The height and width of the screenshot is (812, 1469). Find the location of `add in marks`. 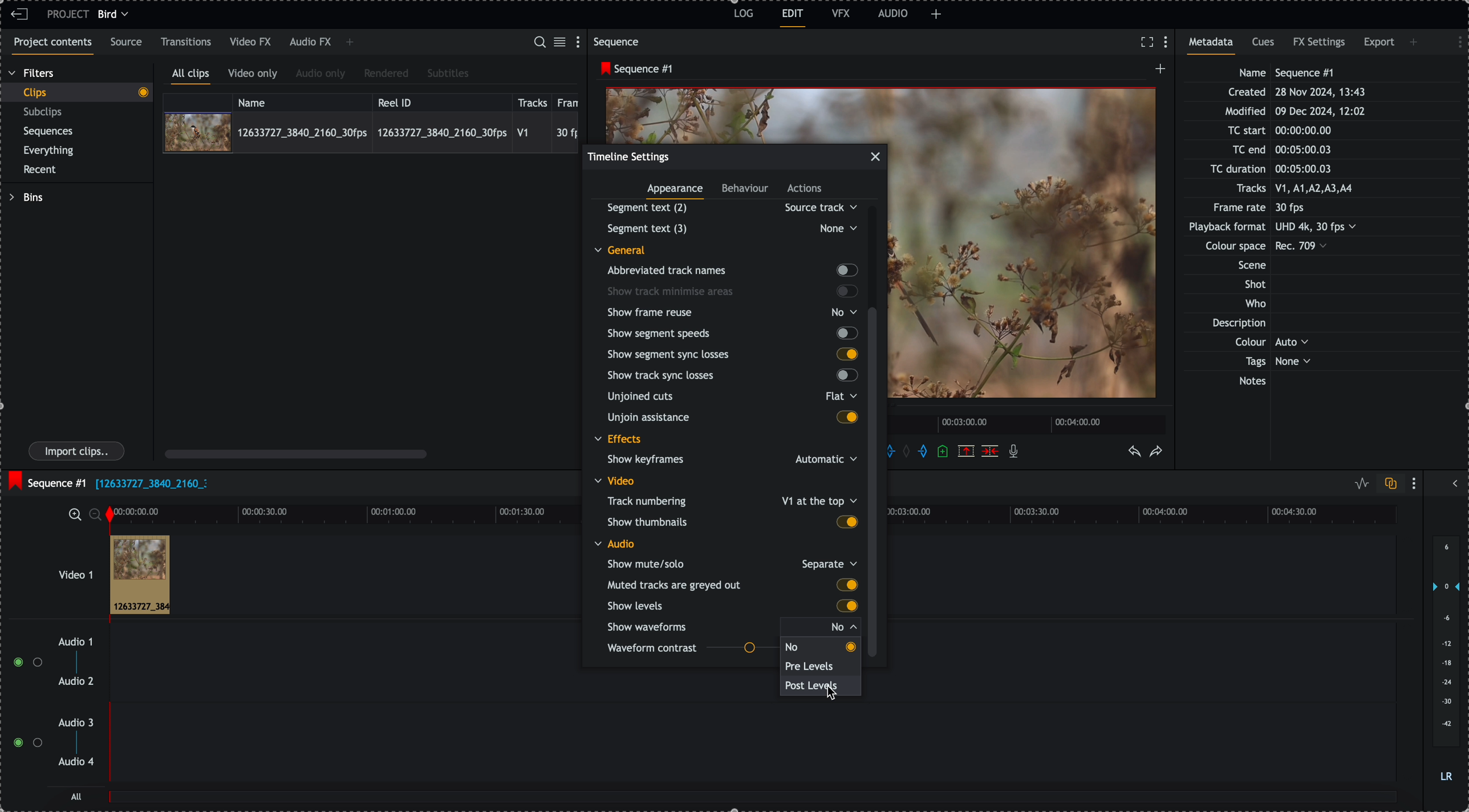

add in marks is located at coordinates (899, 450).